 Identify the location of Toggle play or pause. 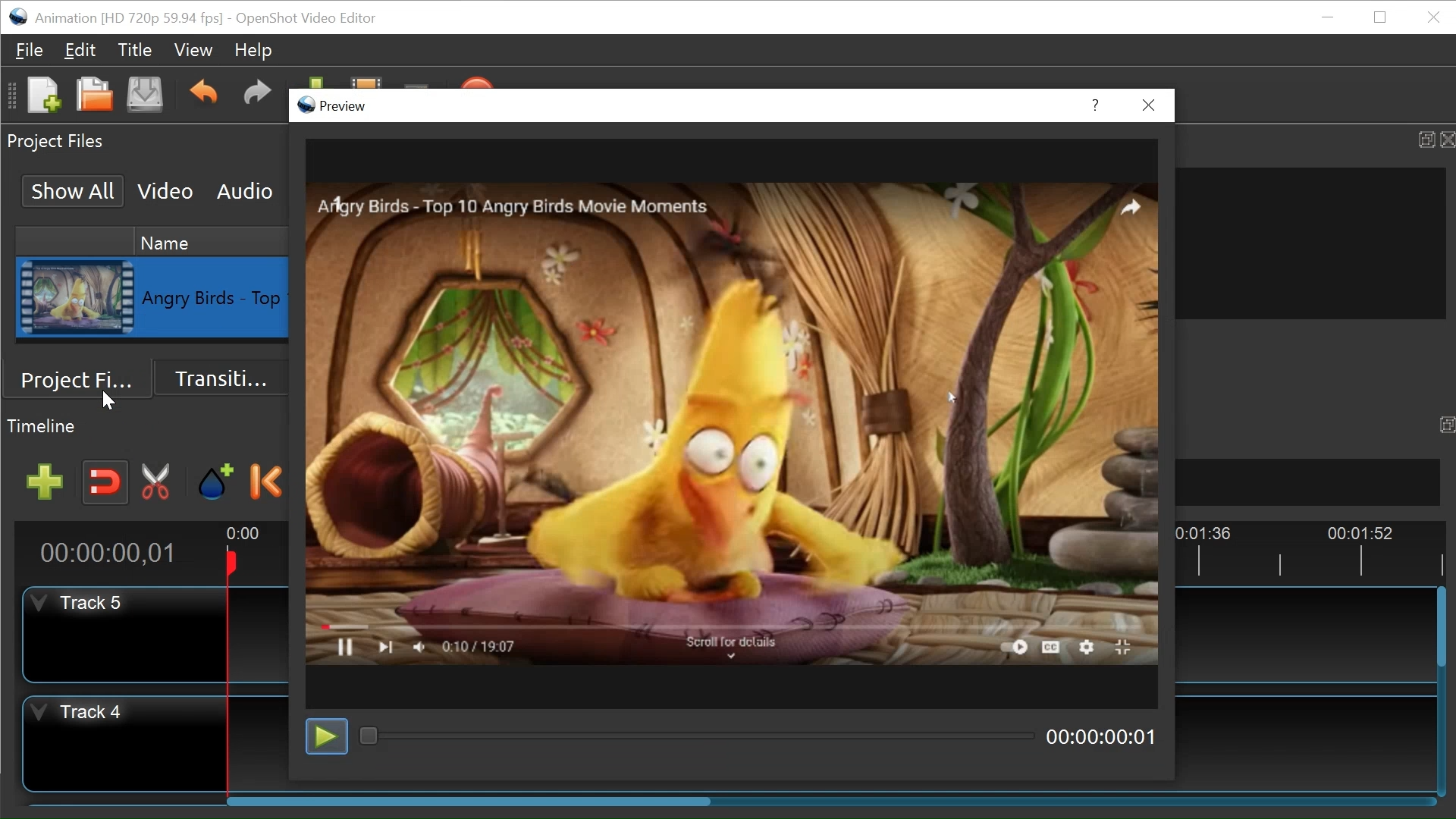
(327, 736).